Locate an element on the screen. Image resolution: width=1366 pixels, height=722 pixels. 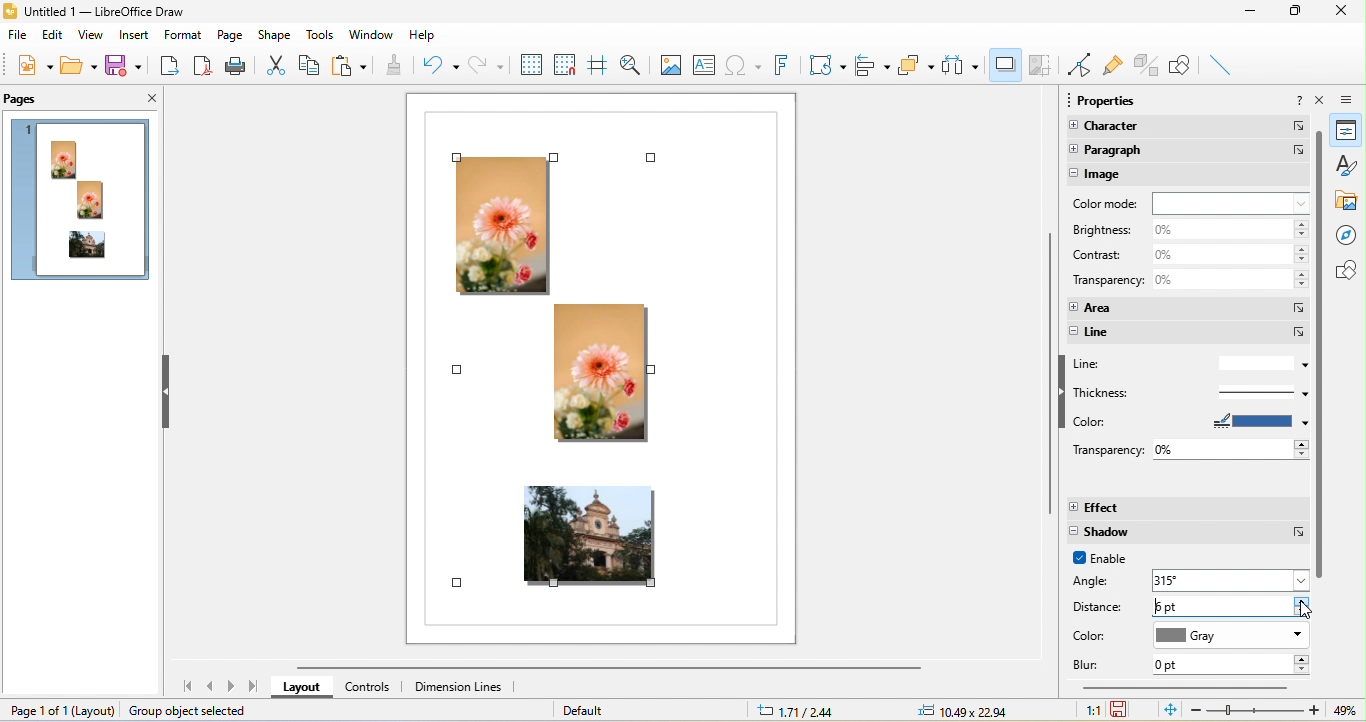
contrast 0% is located at coordinates (1187, 255).